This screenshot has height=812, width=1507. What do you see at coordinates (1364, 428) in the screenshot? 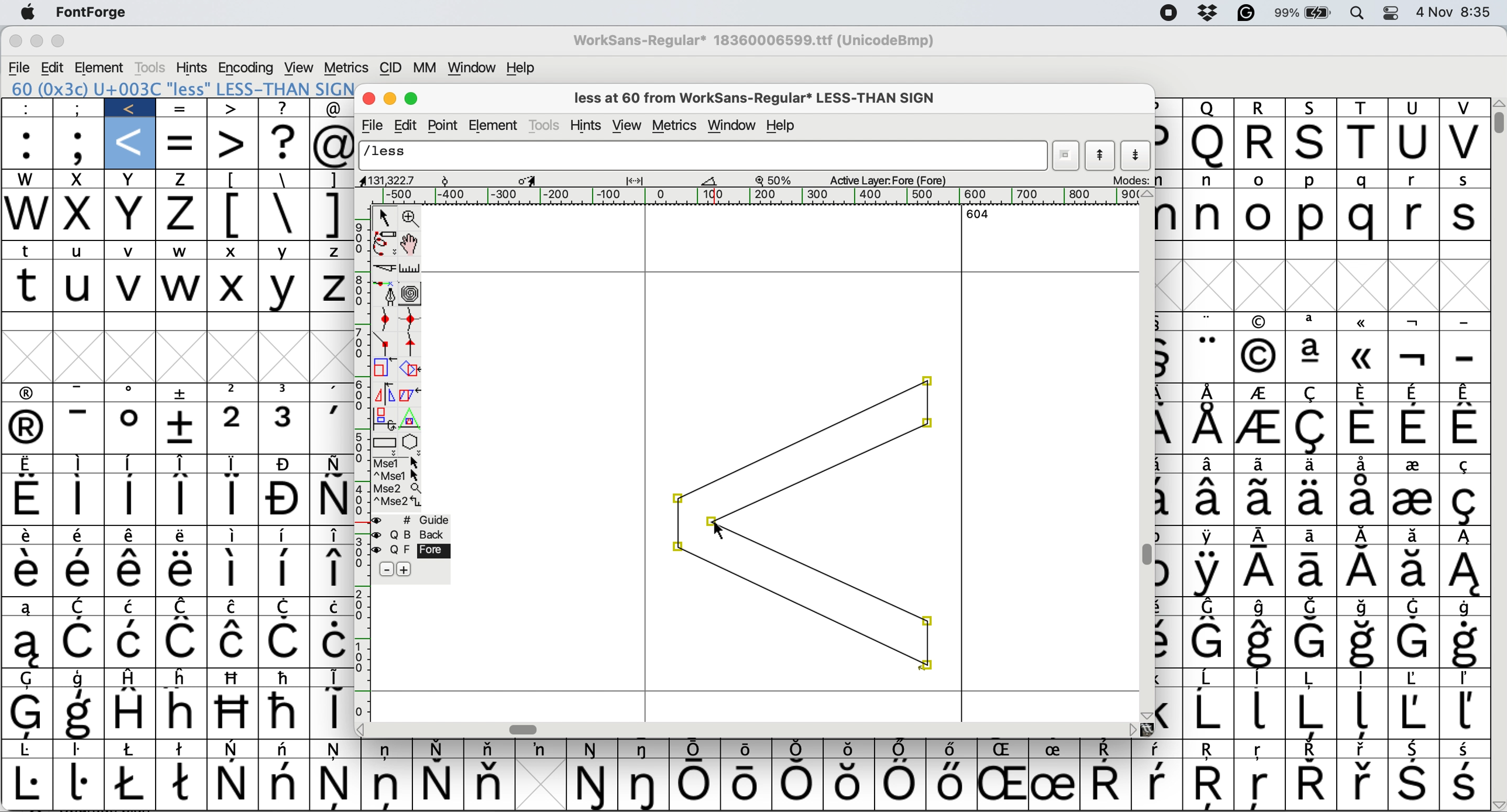
I see `Symbol` at bounding box center [1364, 428].